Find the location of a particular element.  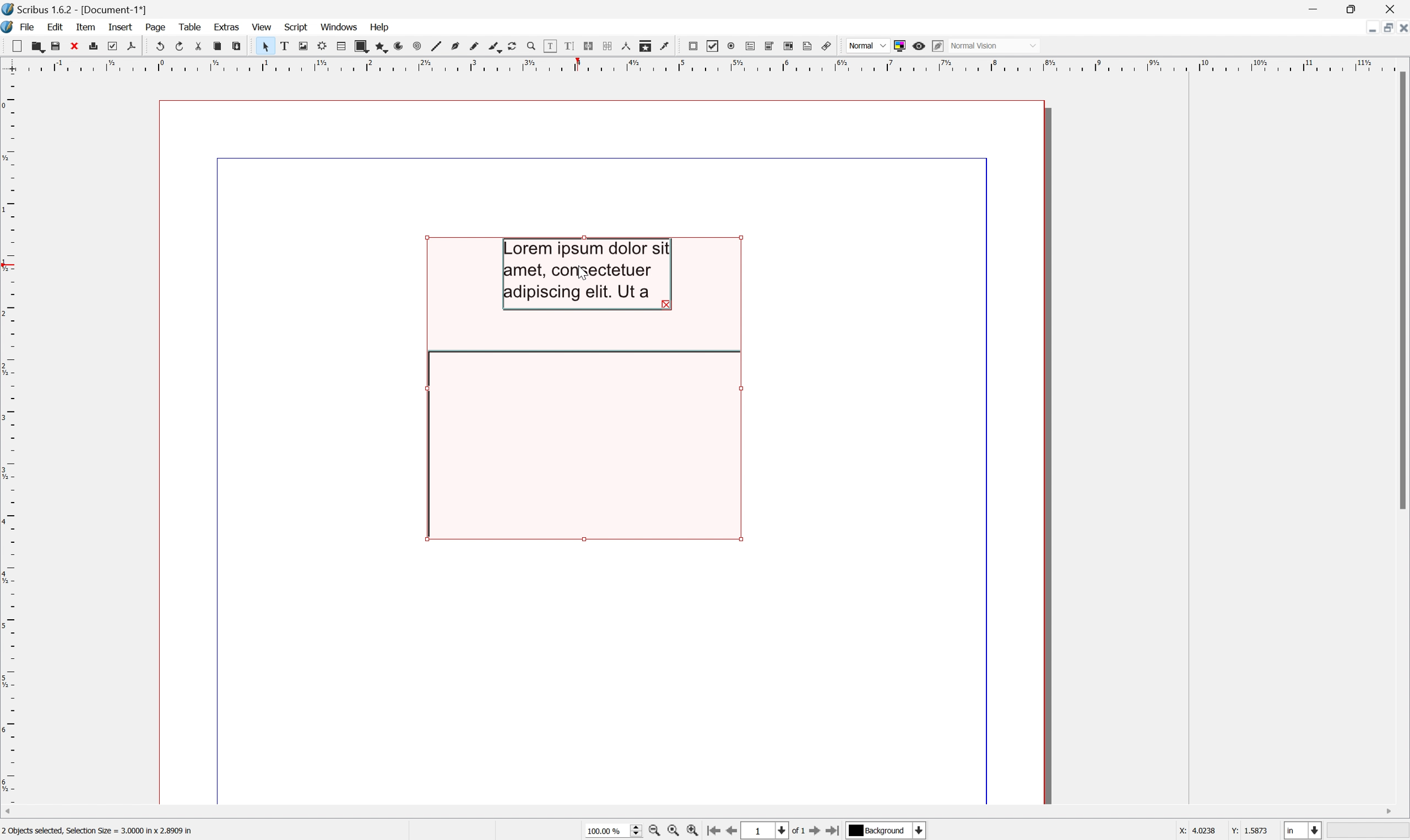

Close is located at coordinates (73, 49).